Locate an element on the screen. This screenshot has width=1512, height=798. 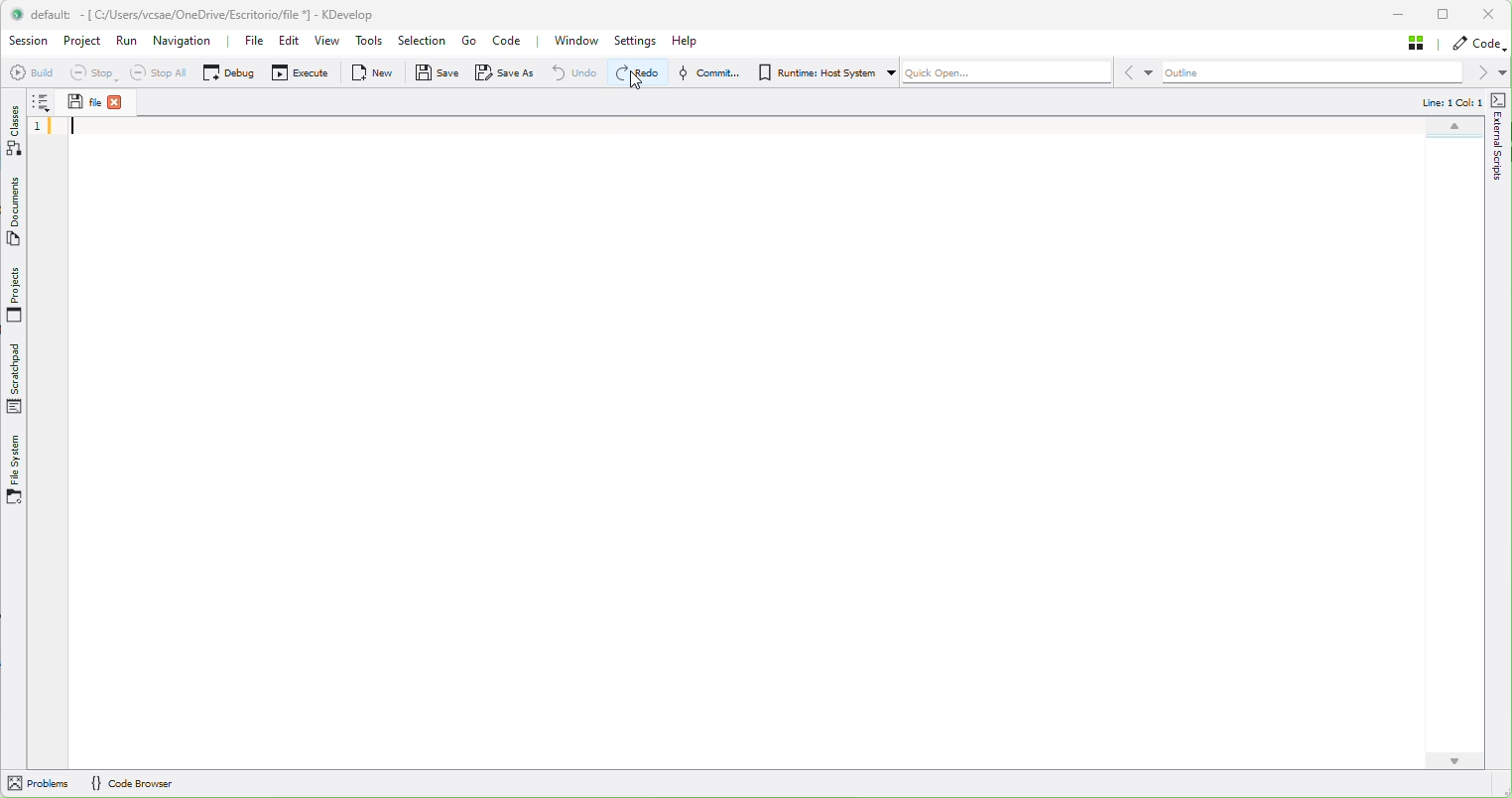
Code is located at coordinates (514, 40).